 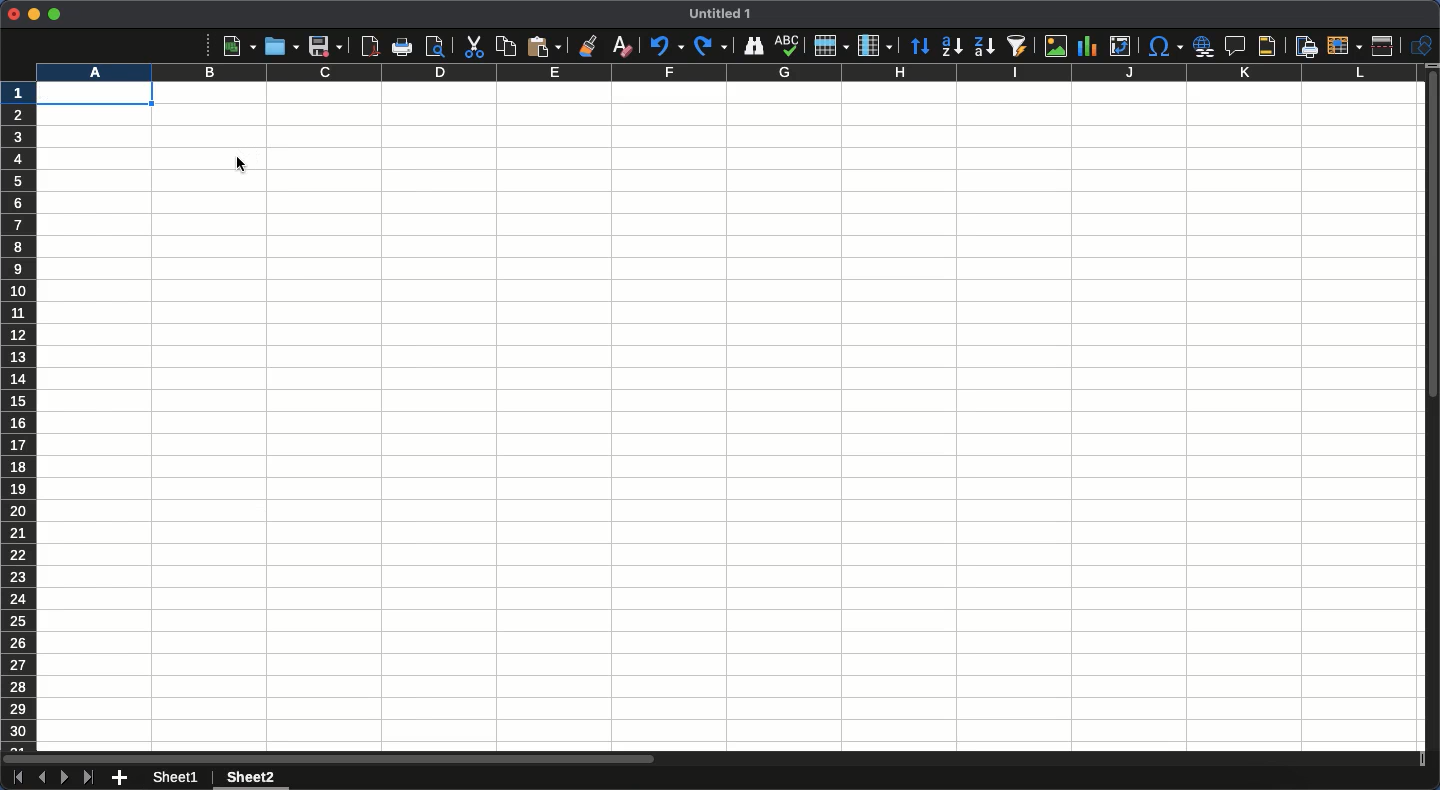 I want to click on Define print area, so click(x=1305, y=47).